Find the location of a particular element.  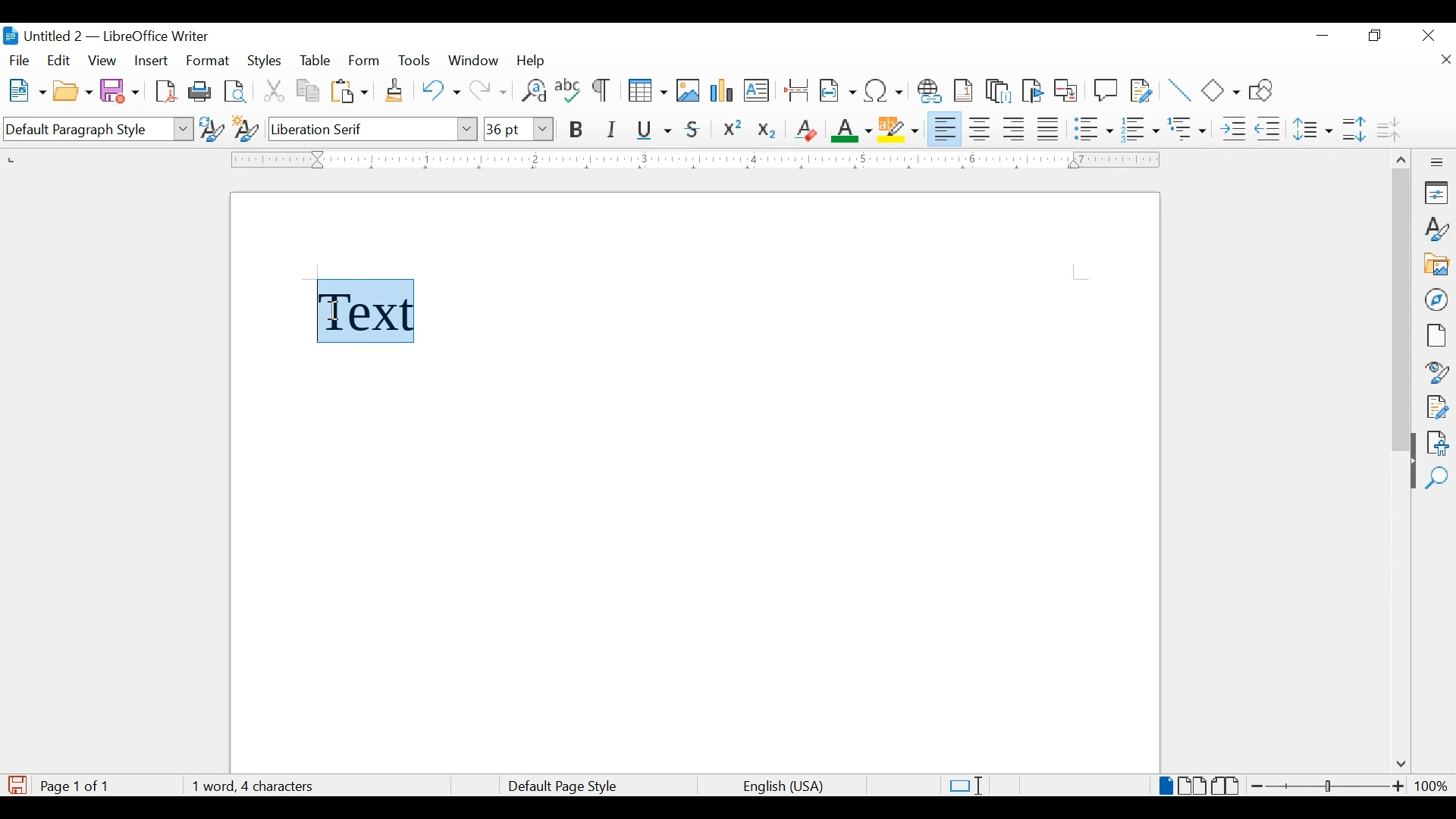

show track changes functions is located at coordinates (1141, 89).